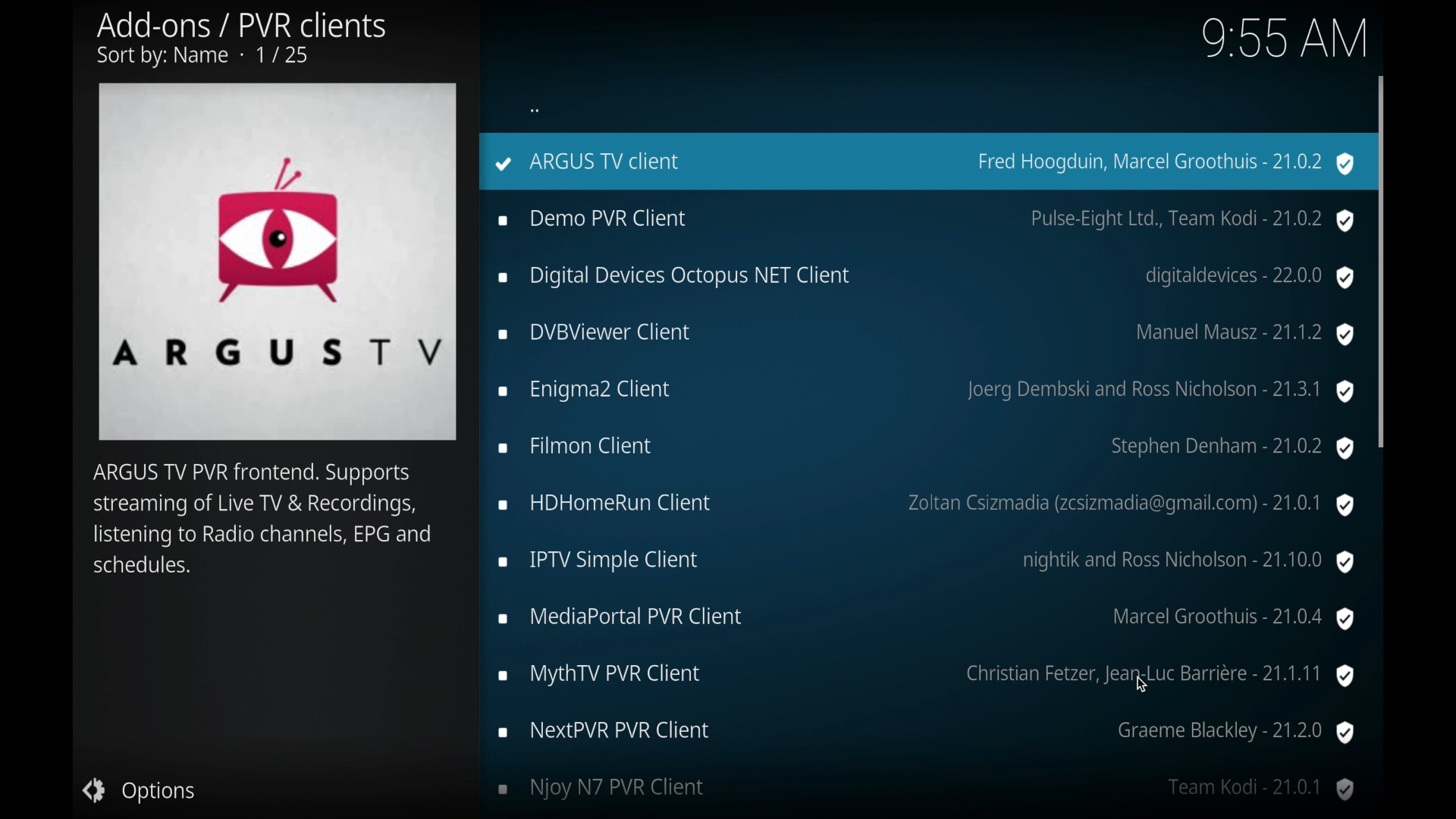 This screenshot has width=1456, height=819. What do you see at coordinates (140, 791) in the screenshot?
I see `options` at bounding box center [140, 791].